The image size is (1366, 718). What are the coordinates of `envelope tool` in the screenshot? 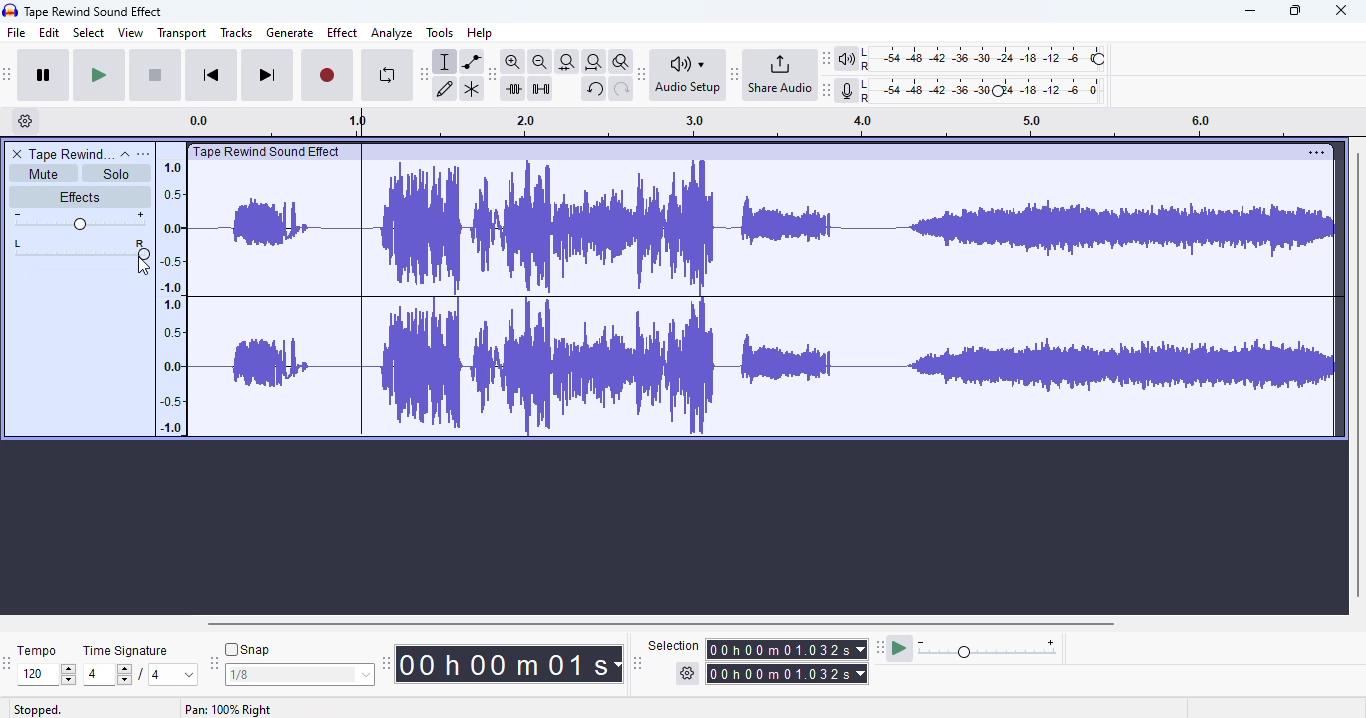 It's located at (472, 62).